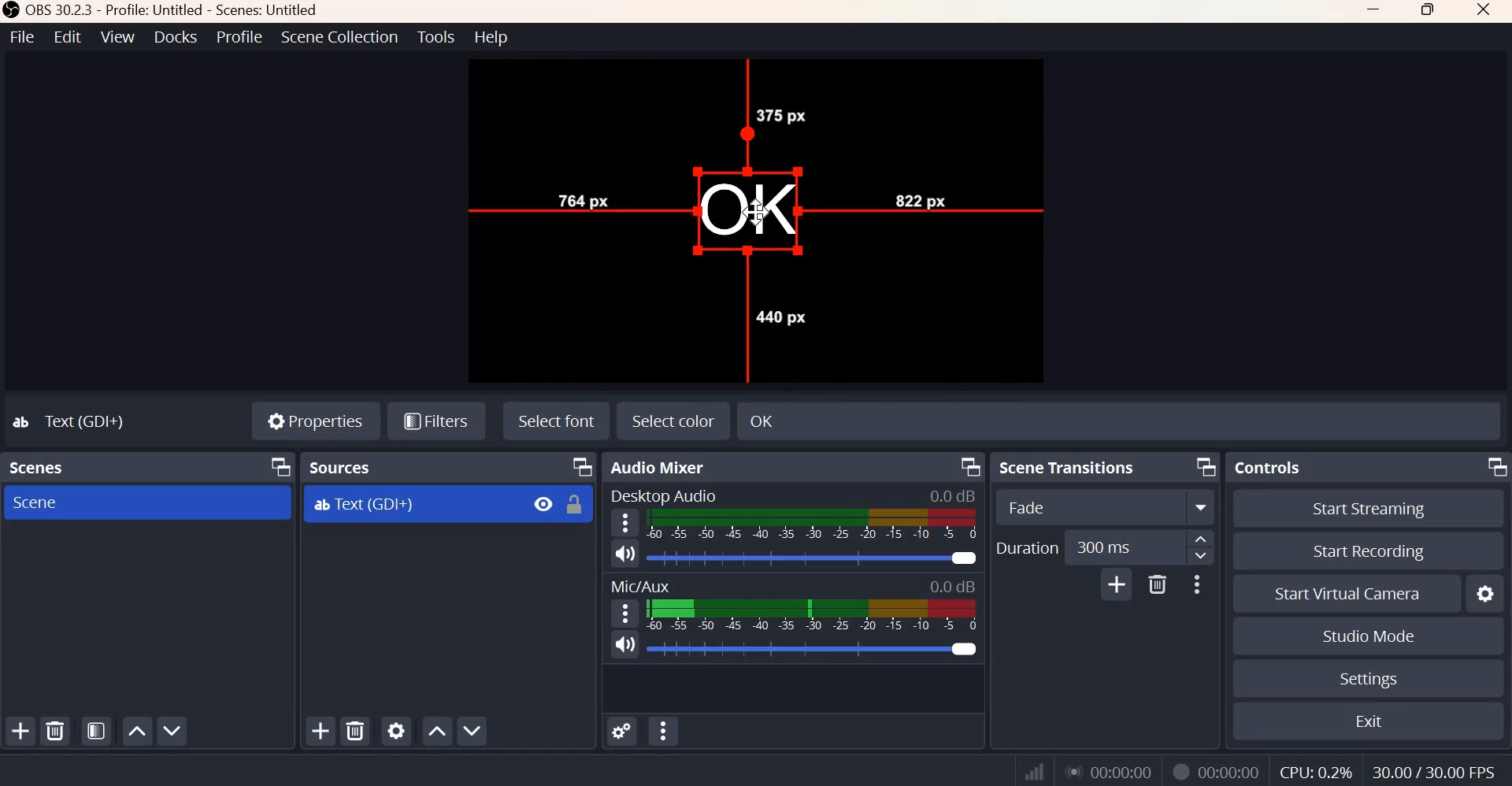 This screenshot has width=1512, height=786. Describe the element at coordinates (1201, 556) in the screenshot. I see `decrease duration` at that location.